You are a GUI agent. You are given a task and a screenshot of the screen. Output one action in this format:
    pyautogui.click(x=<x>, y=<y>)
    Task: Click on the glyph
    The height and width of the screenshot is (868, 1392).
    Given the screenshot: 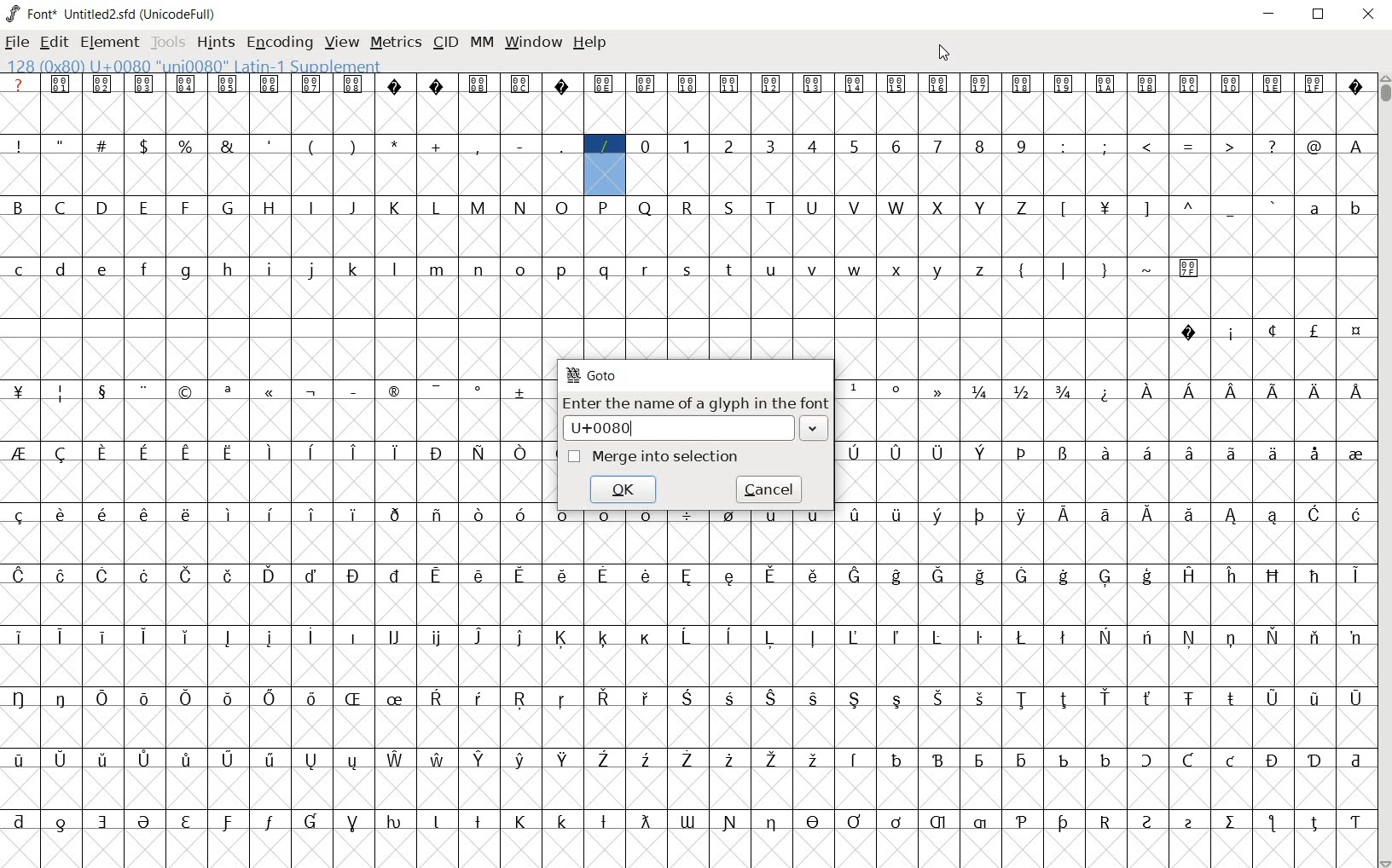 What is the action you would take?
    pyautogui.click(x=438, y=639)
    